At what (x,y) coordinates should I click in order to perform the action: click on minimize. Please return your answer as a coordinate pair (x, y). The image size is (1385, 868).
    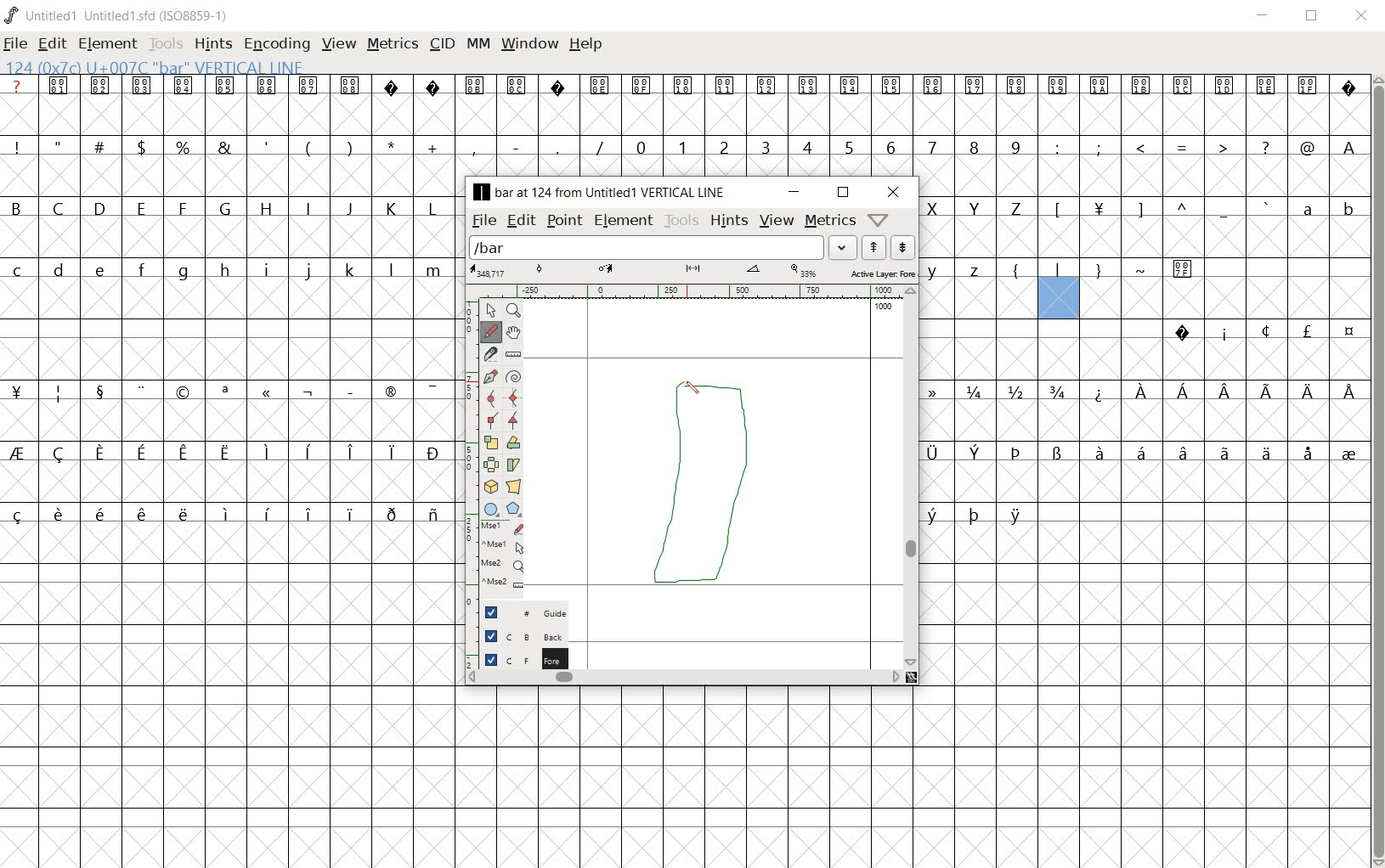
    Looking at the image, I should click on (794, 192).